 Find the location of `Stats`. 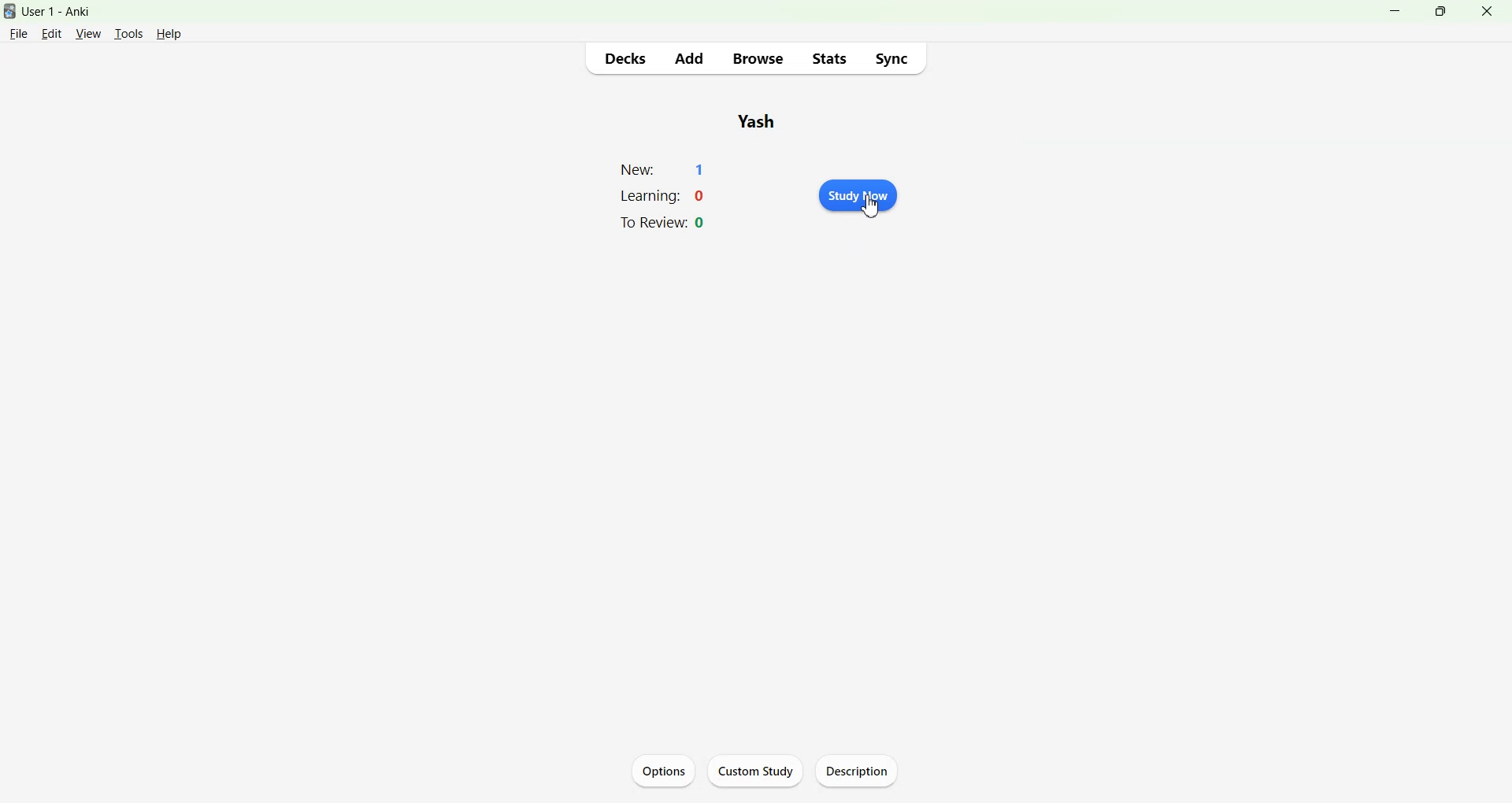

Stats is located at coordinates (828, 58).